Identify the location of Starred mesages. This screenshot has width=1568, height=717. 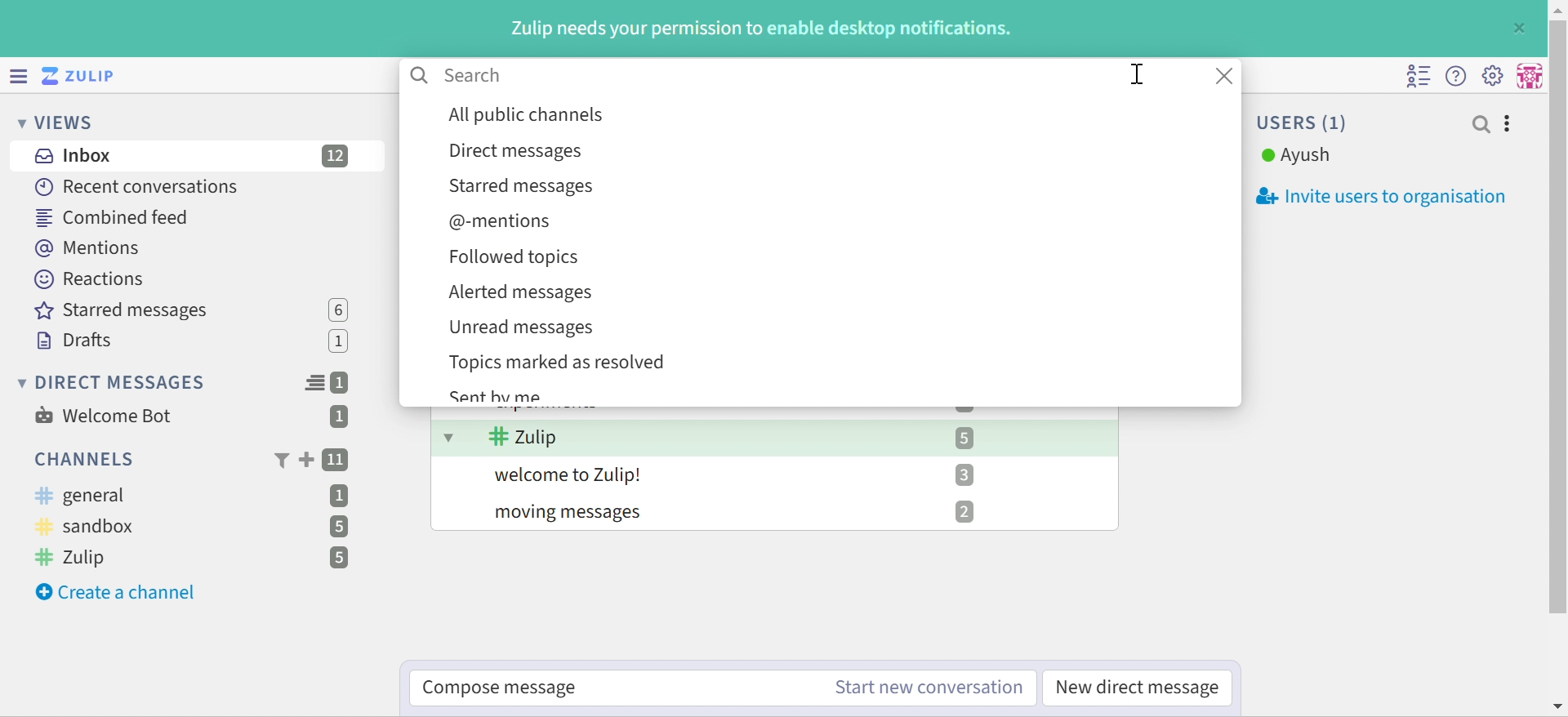
(127, 311).